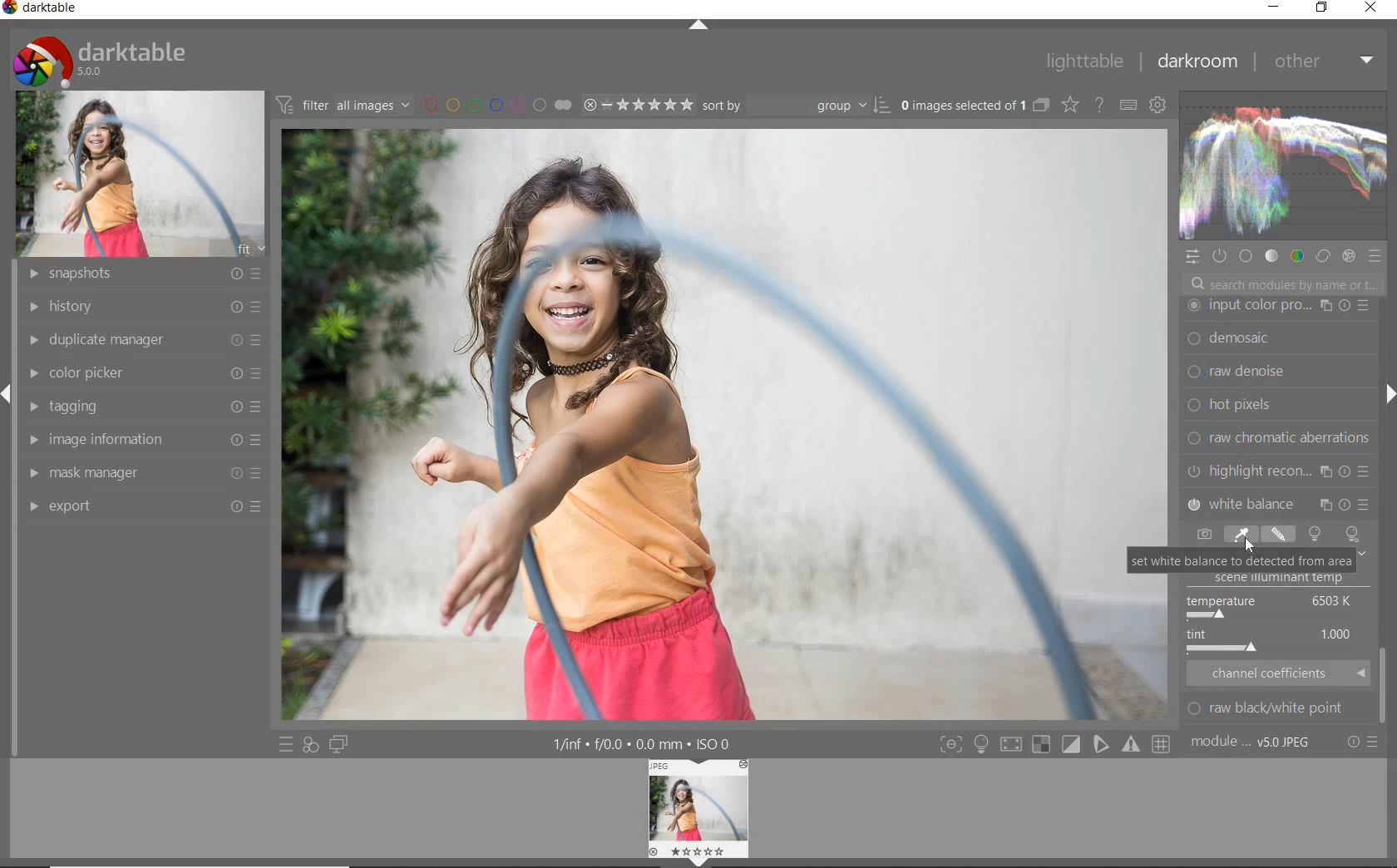  I want to click on expand/collapse, so click(1385, 397).